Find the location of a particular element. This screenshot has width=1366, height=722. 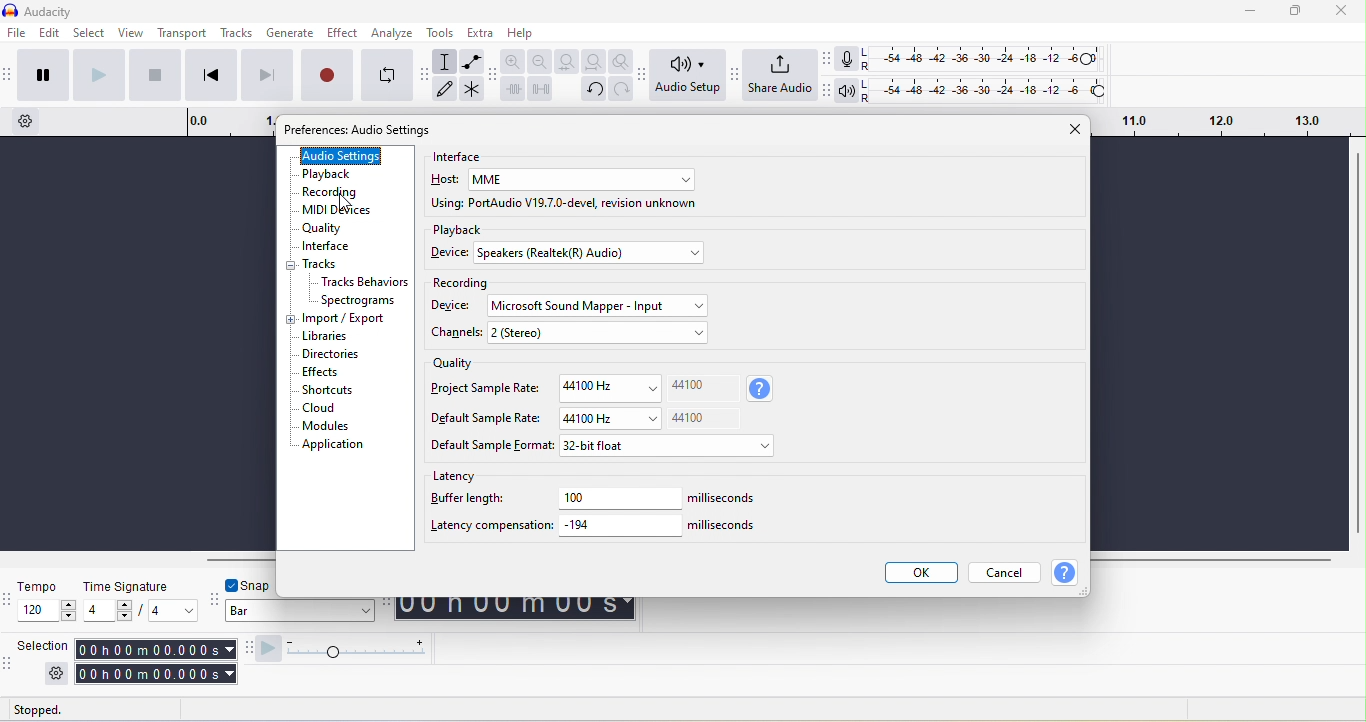

00 h 00 m 00 s is located at coordinates (520, 610).